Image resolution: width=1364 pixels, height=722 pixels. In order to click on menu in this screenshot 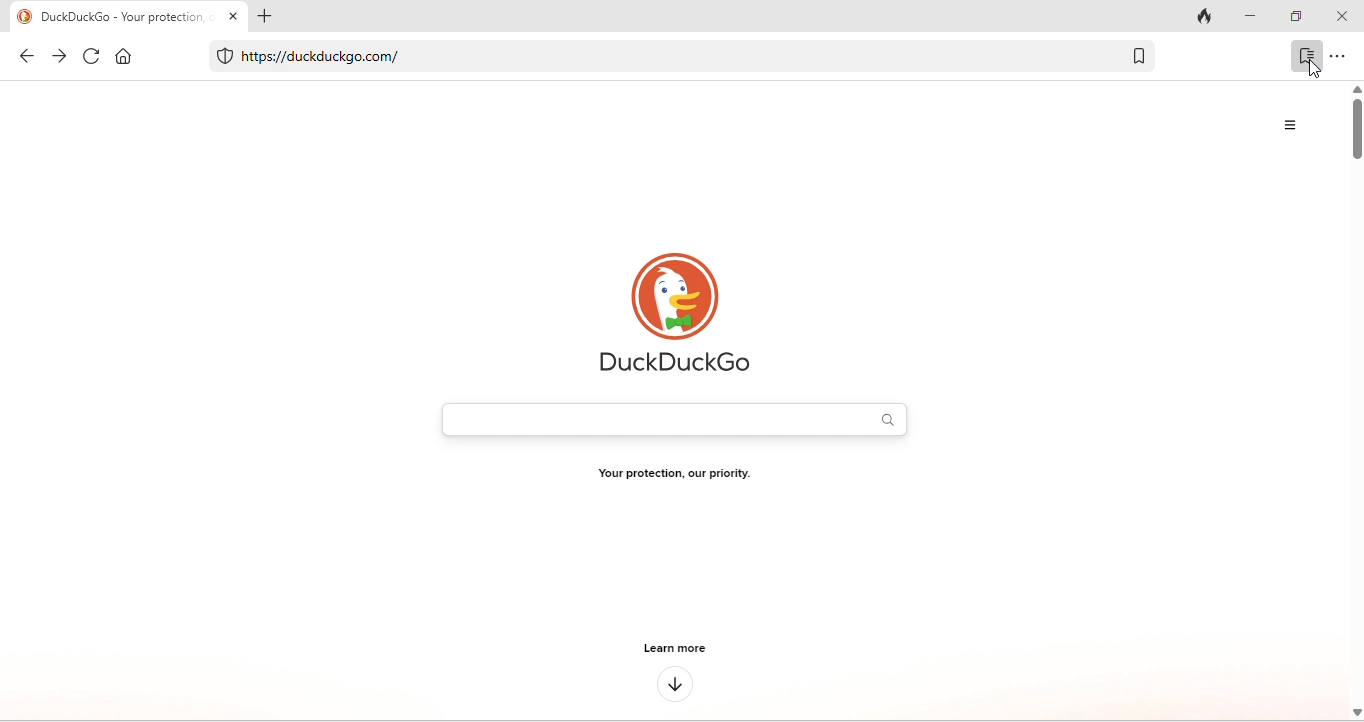, I will do `click(1292, 126)`.